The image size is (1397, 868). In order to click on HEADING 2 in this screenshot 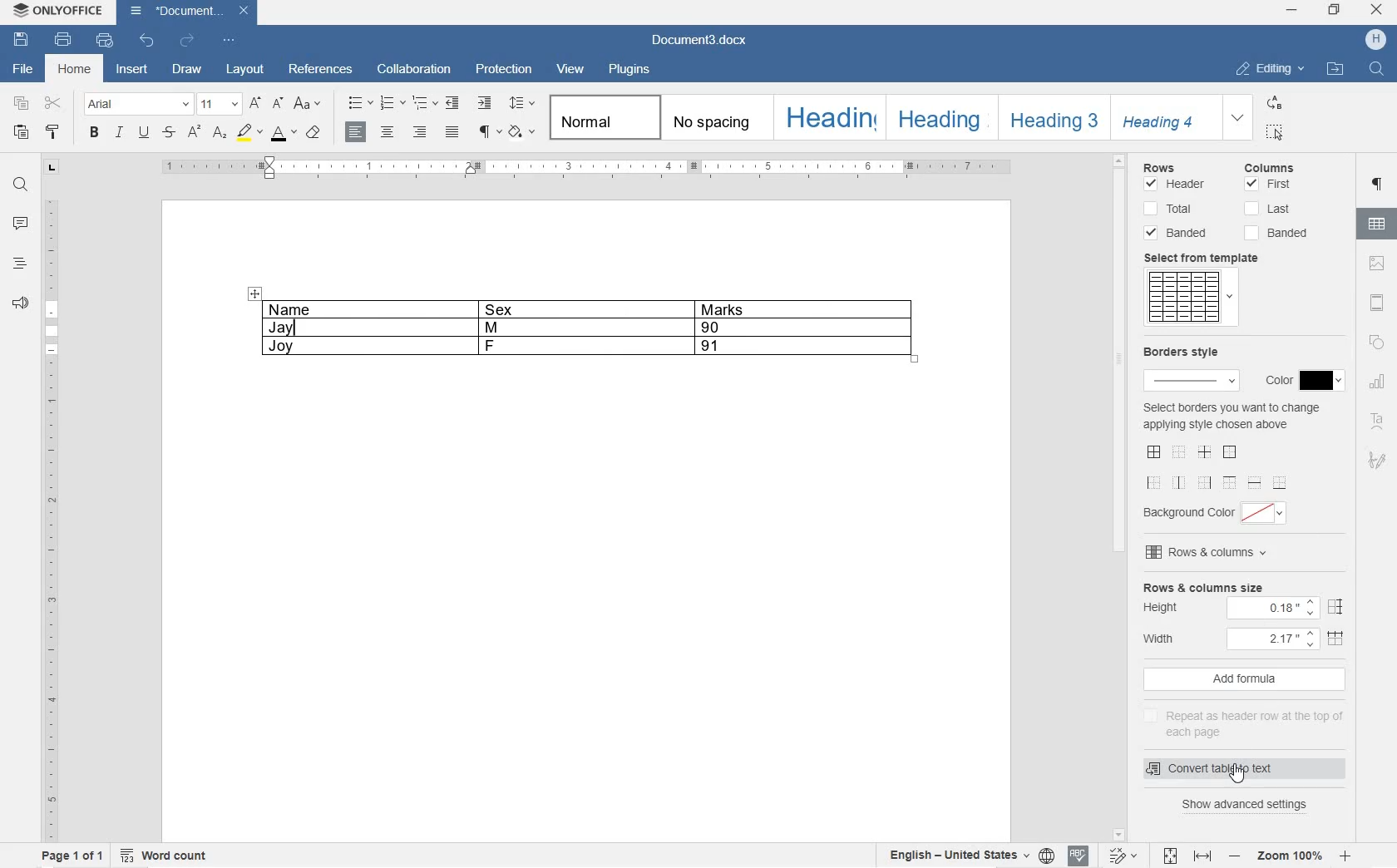, I will do `click(942, 118)`.